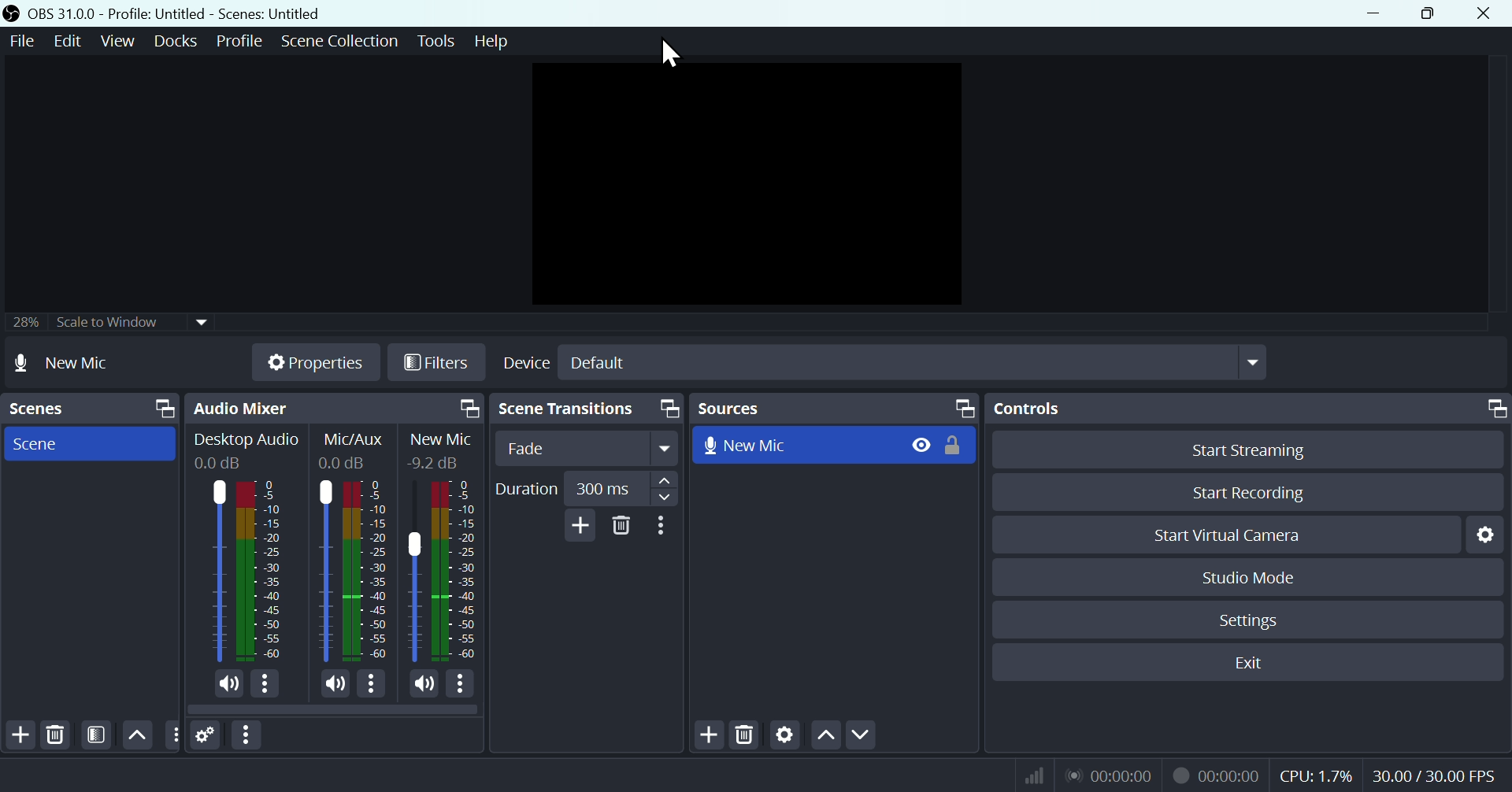 This screenshot has height=792, width=1512. Describe the element at coordinates (457, 571) in the screenshot. I see `Mic` at that location.